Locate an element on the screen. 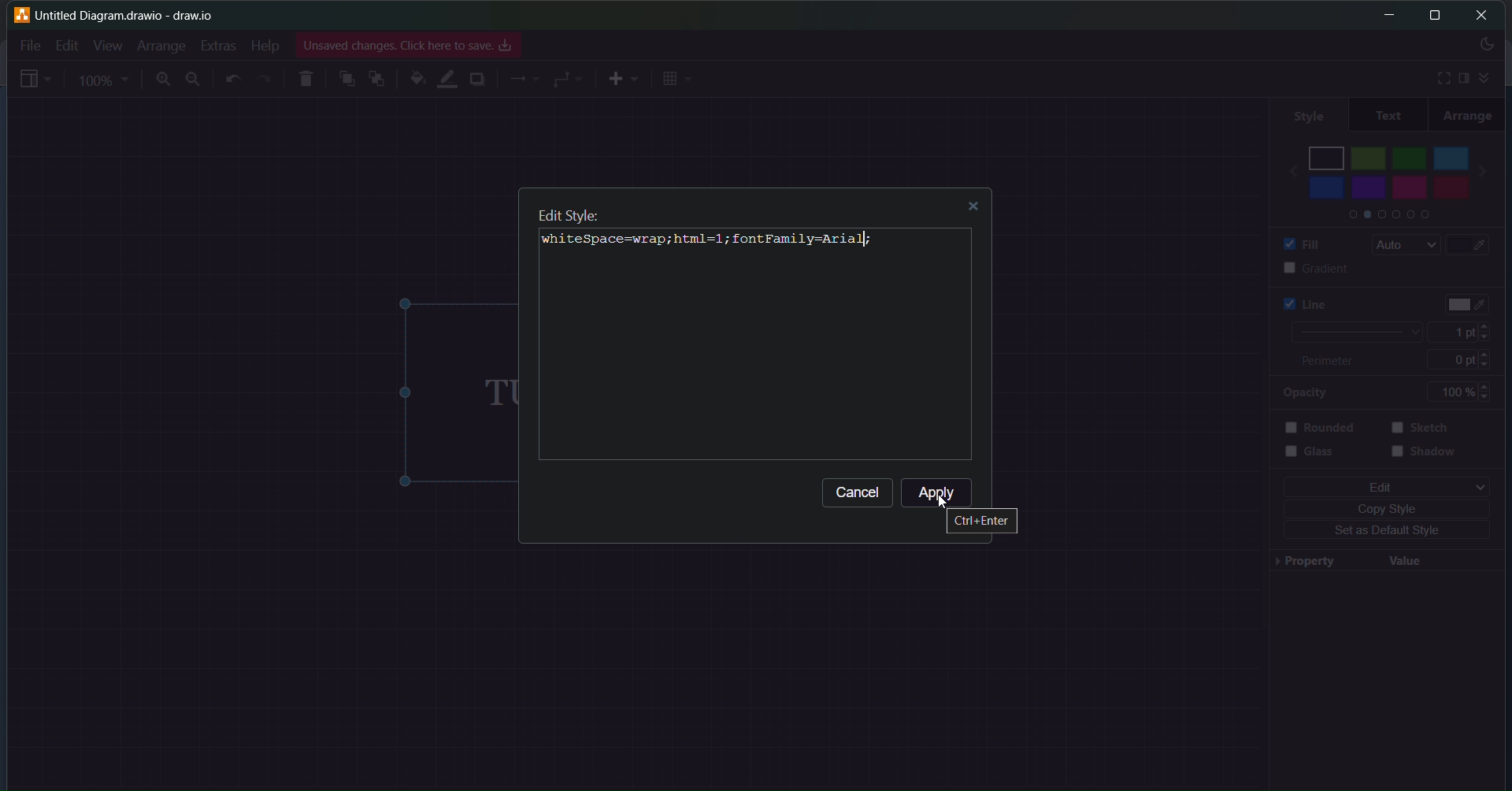 This screenshot has width=1512, height=791. fill color is located at coordinates (1477, 245).